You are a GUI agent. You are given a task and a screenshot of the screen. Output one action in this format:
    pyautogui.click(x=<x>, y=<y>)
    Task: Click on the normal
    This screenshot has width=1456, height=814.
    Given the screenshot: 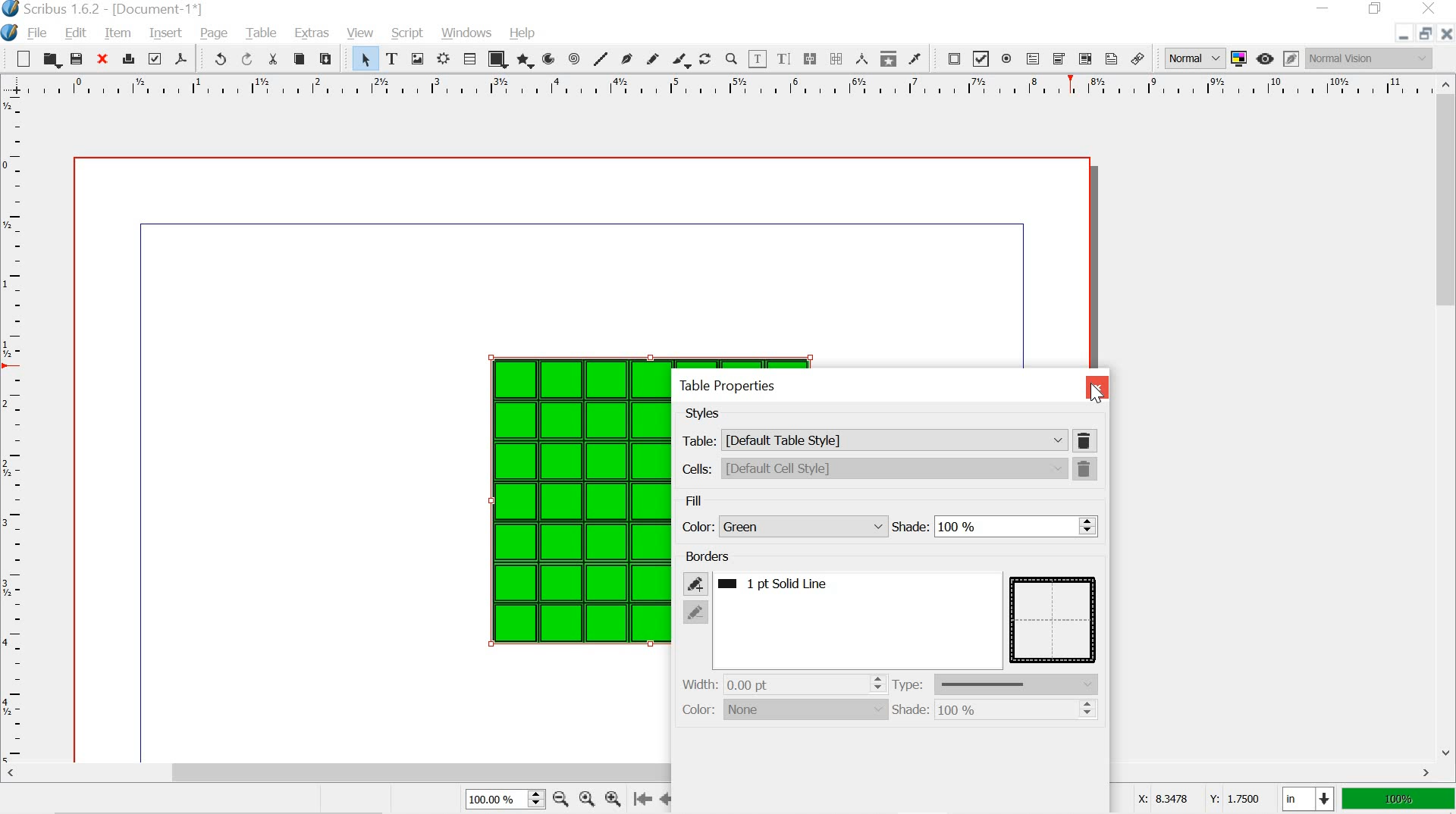 What is the action you would take?
    pyautogui.click(x=1189, y=56)
    